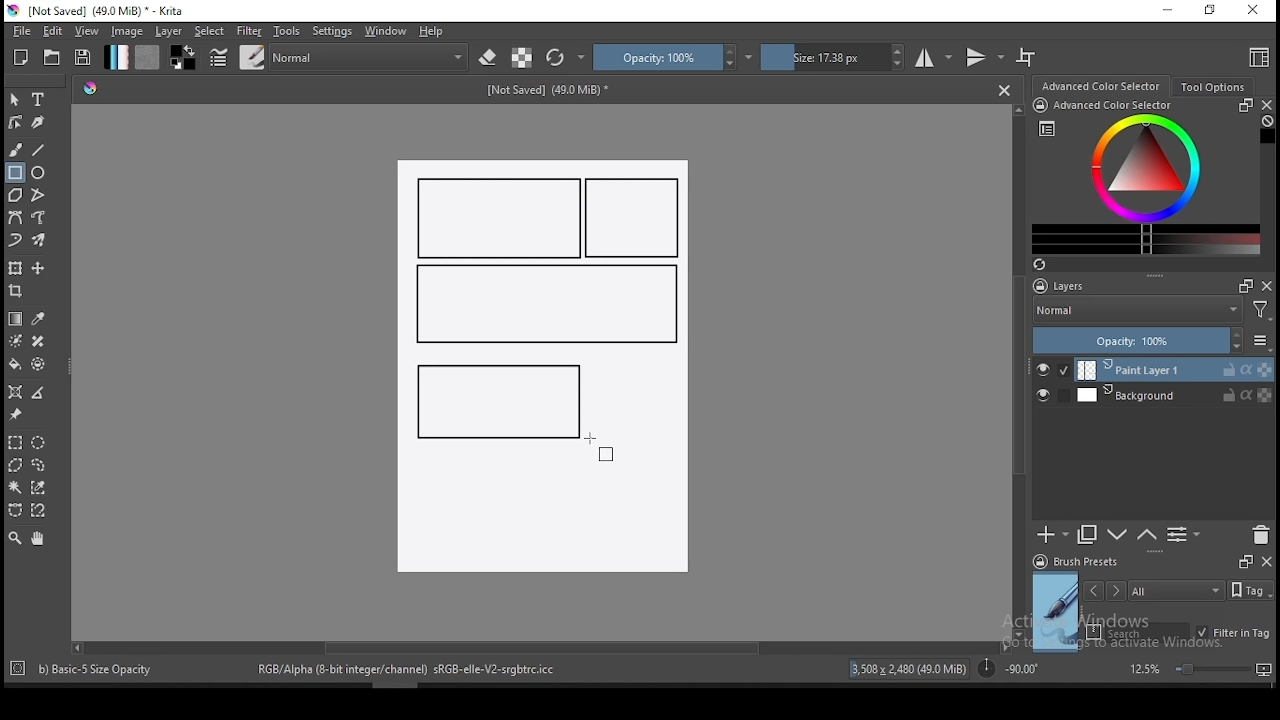  Describe the element at coordinates (1048, 397) in the screenshot. I see `layer visibility on/off` at that location.